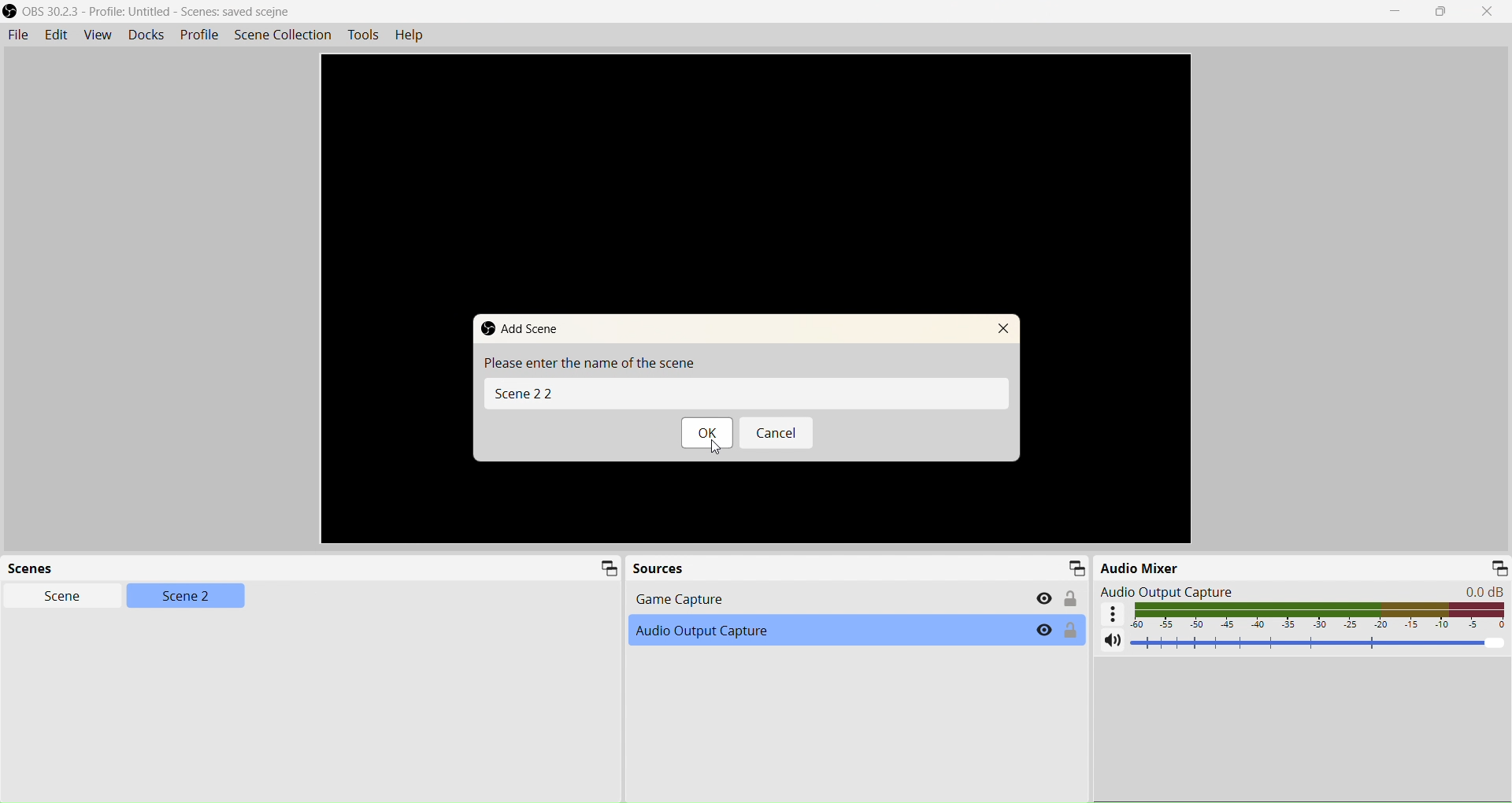 The image size is (1512, 803). I want to click on Mute/ Unmute, so click(1112, 639).